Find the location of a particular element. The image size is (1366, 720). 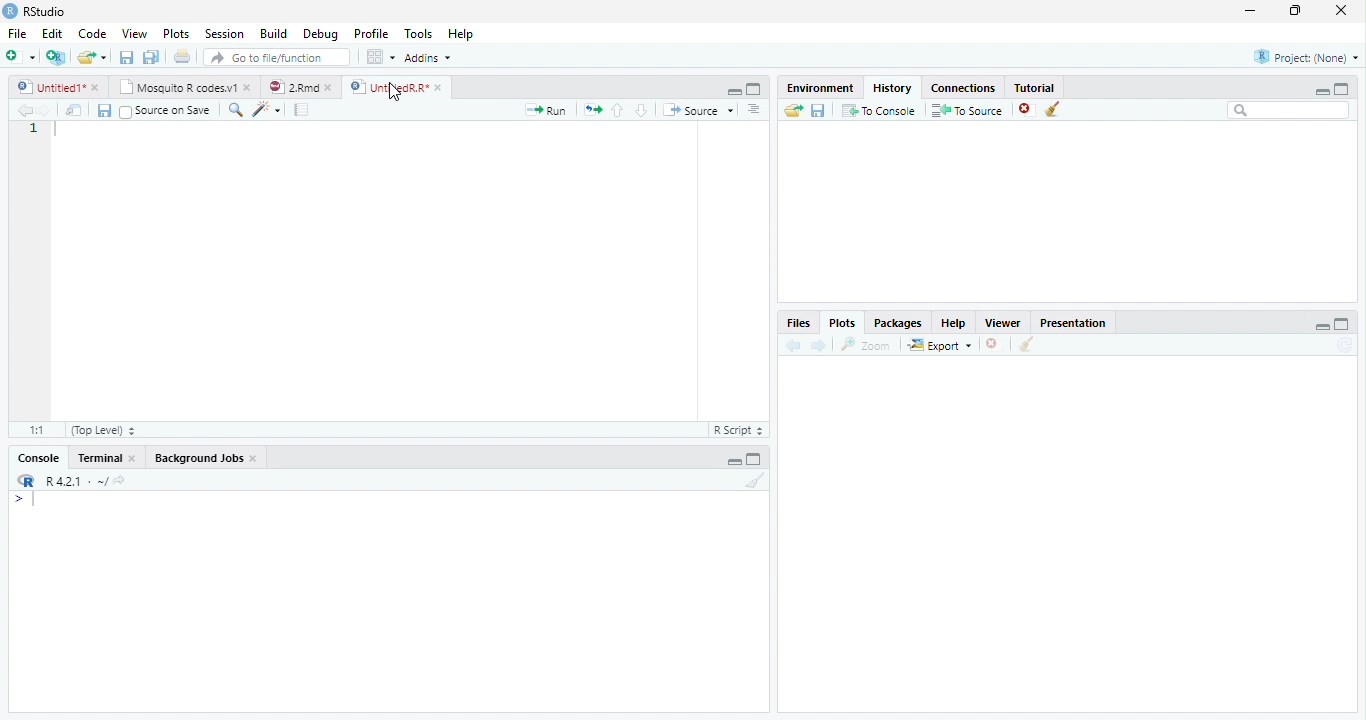

Zoom is located at coordinates (865, 345).